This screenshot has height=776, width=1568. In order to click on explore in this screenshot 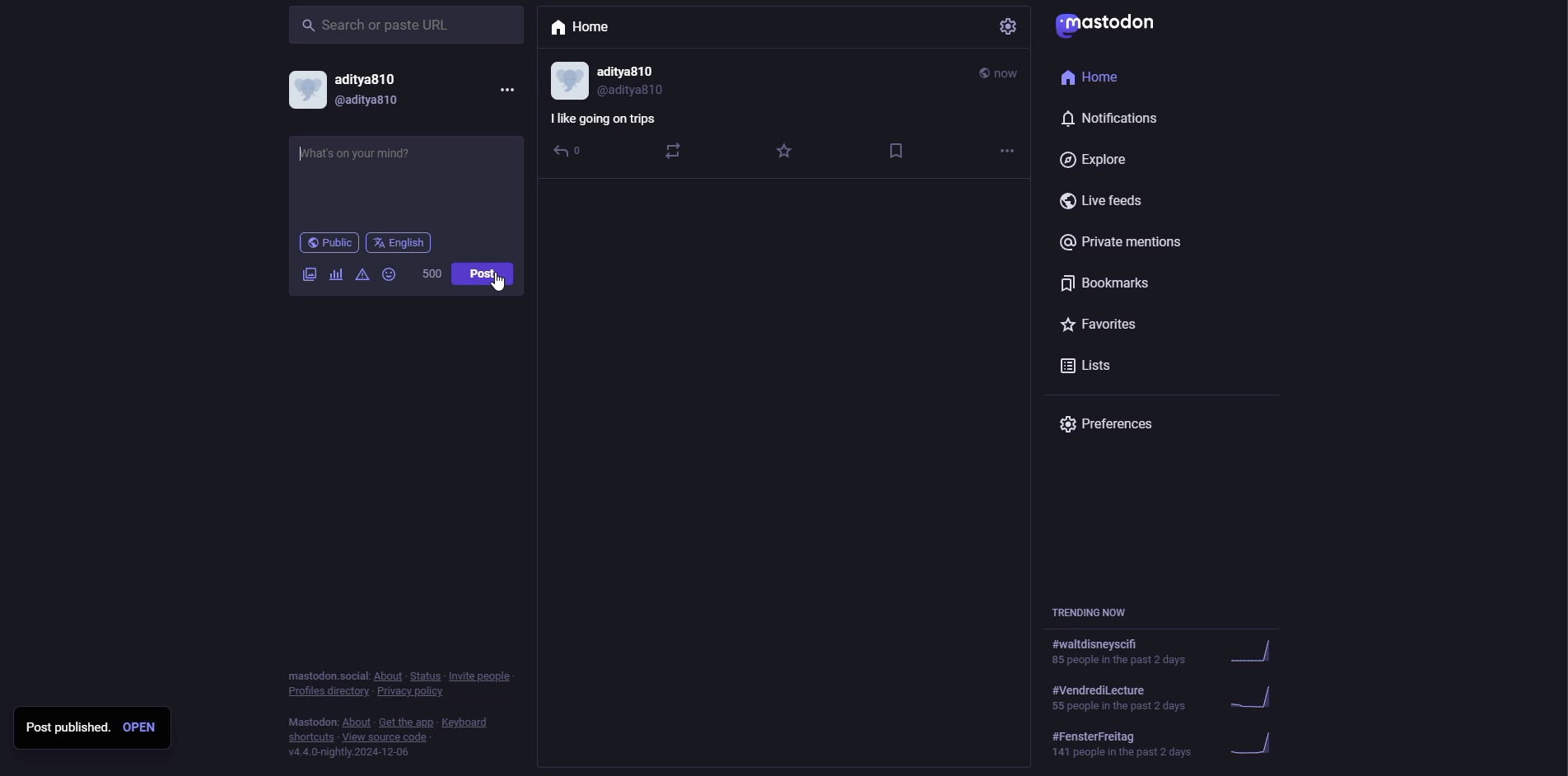, I will do `click(1094, 160)`.